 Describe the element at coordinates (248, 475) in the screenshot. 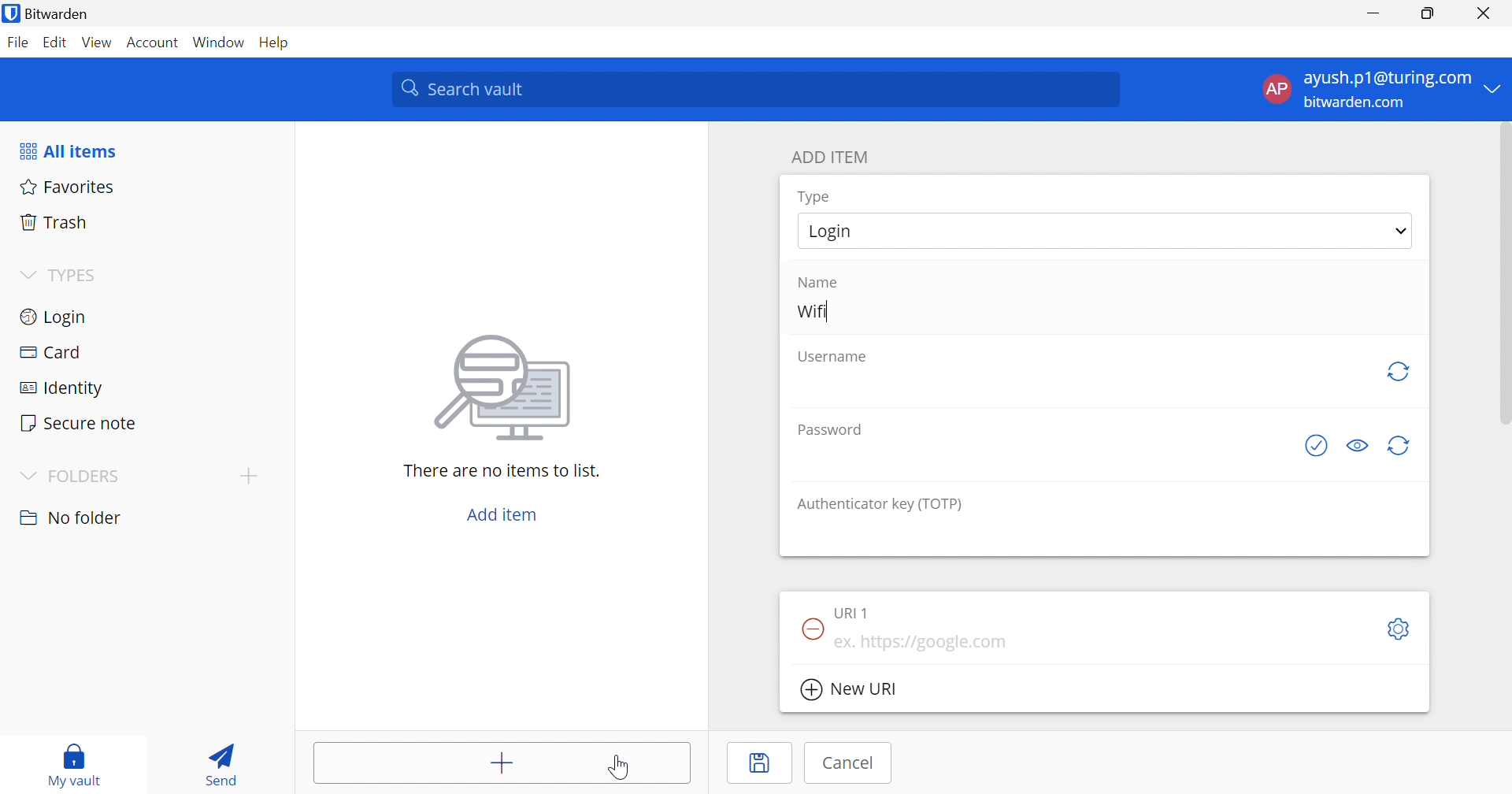

I see `Drop Down` at that location.